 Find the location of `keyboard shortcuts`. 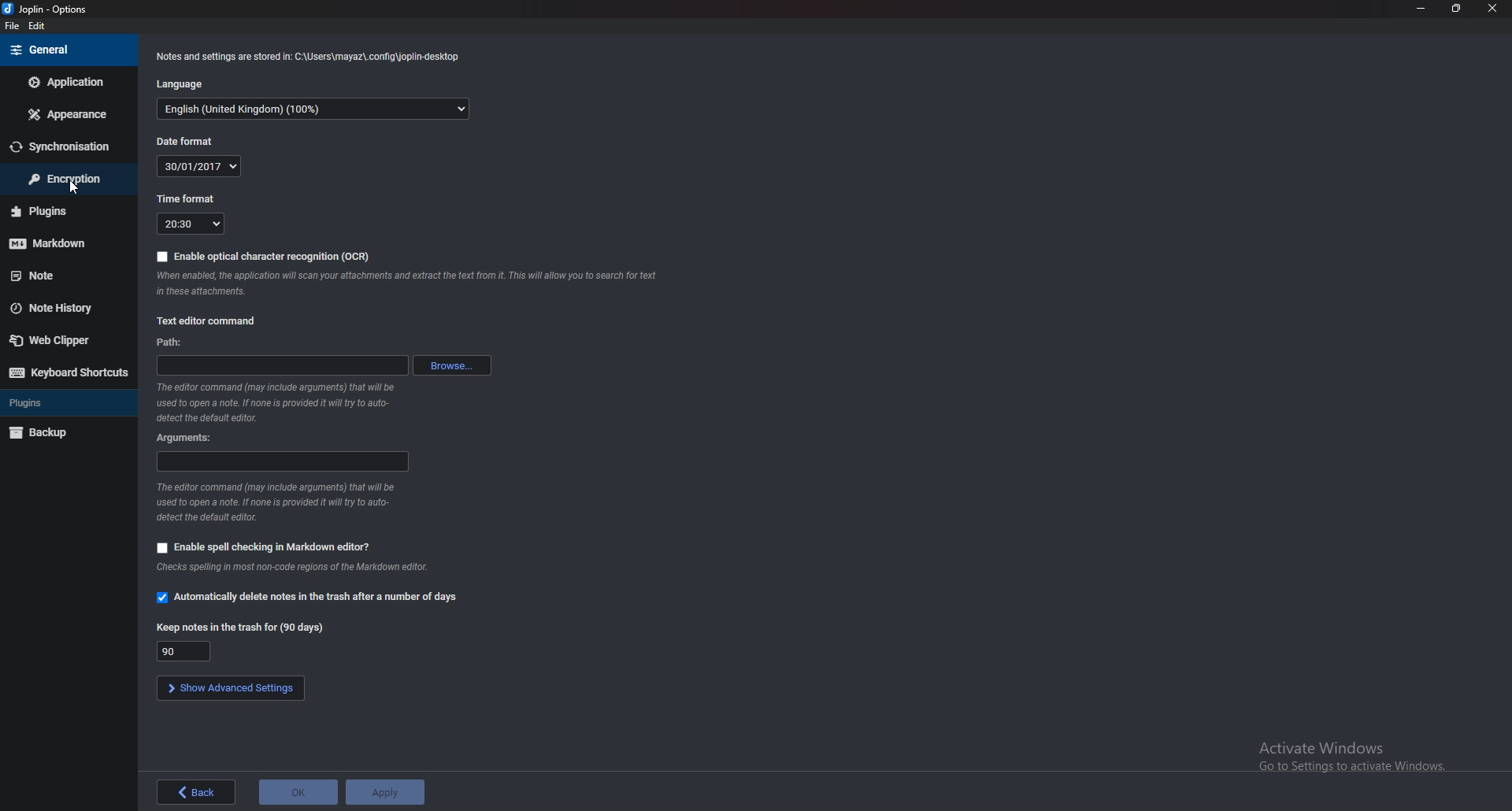

keyboard shortcuts is located at coordinates (69, 373).